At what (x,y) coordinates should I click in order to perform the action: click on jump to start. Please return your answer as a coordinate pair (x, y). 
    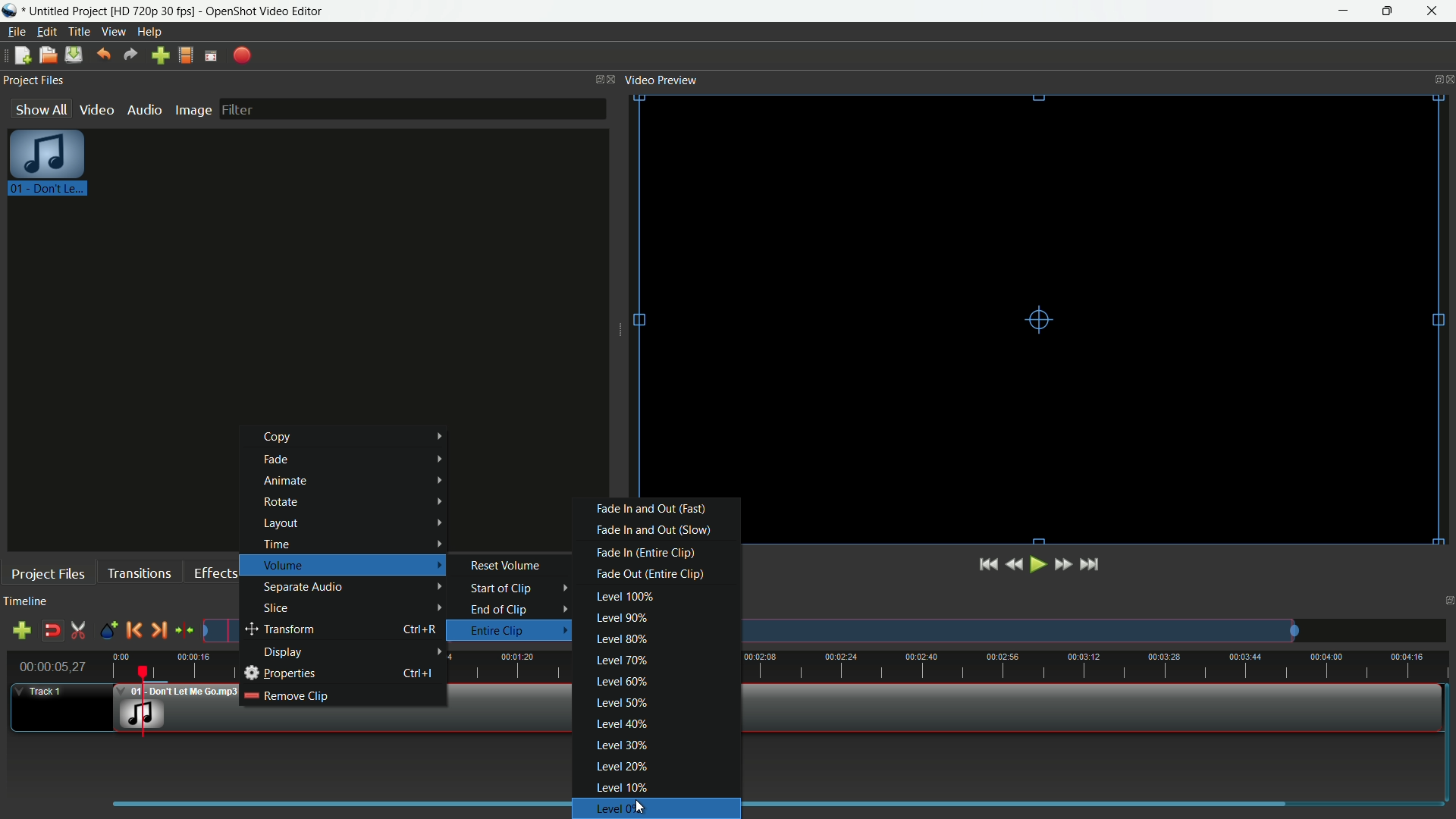
    Looking at the image, I should click on (988, 564).